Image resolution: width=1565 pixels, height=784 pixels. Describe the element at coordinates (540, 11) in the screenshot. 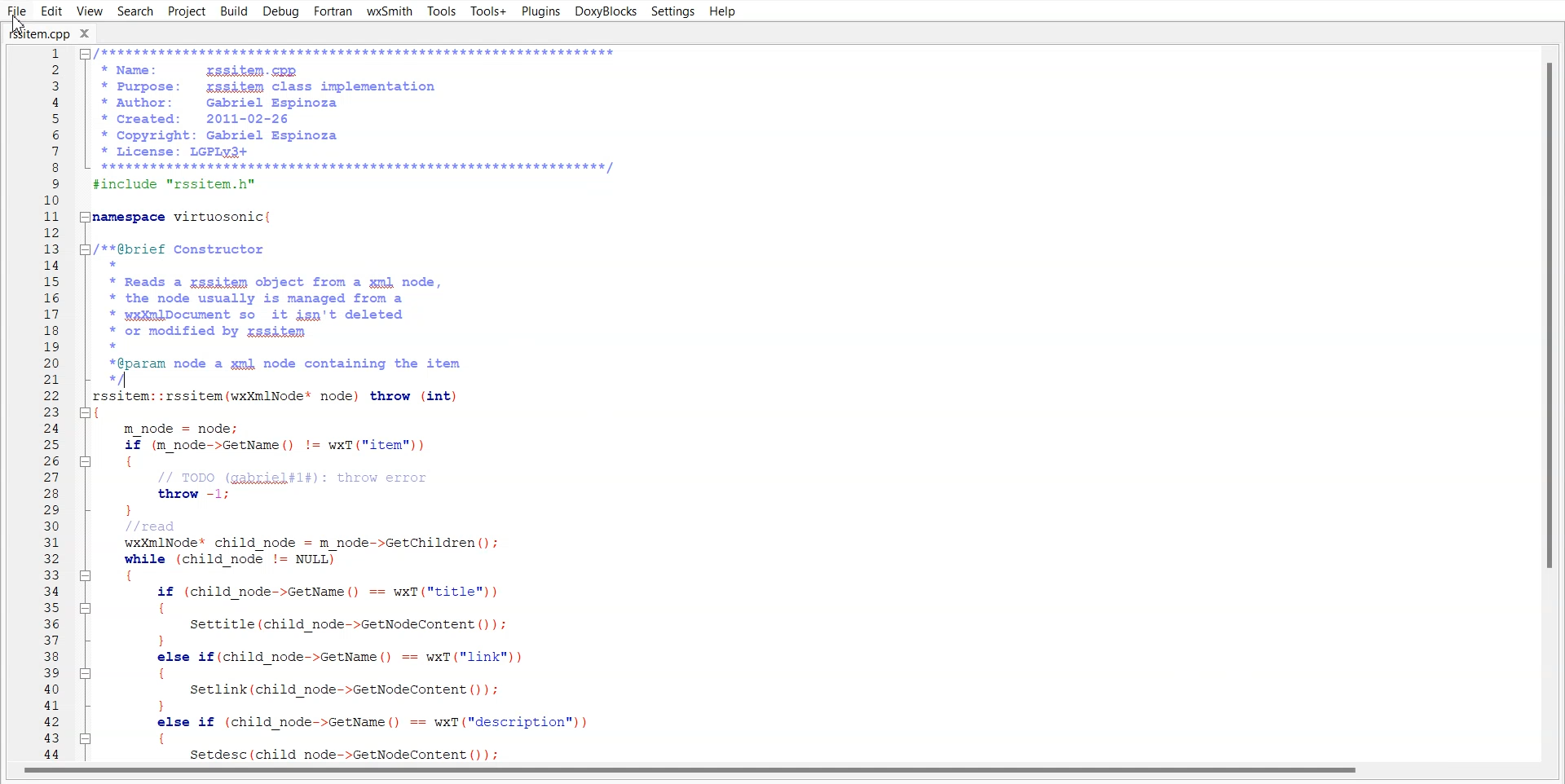

I see `Plugins` at that location.